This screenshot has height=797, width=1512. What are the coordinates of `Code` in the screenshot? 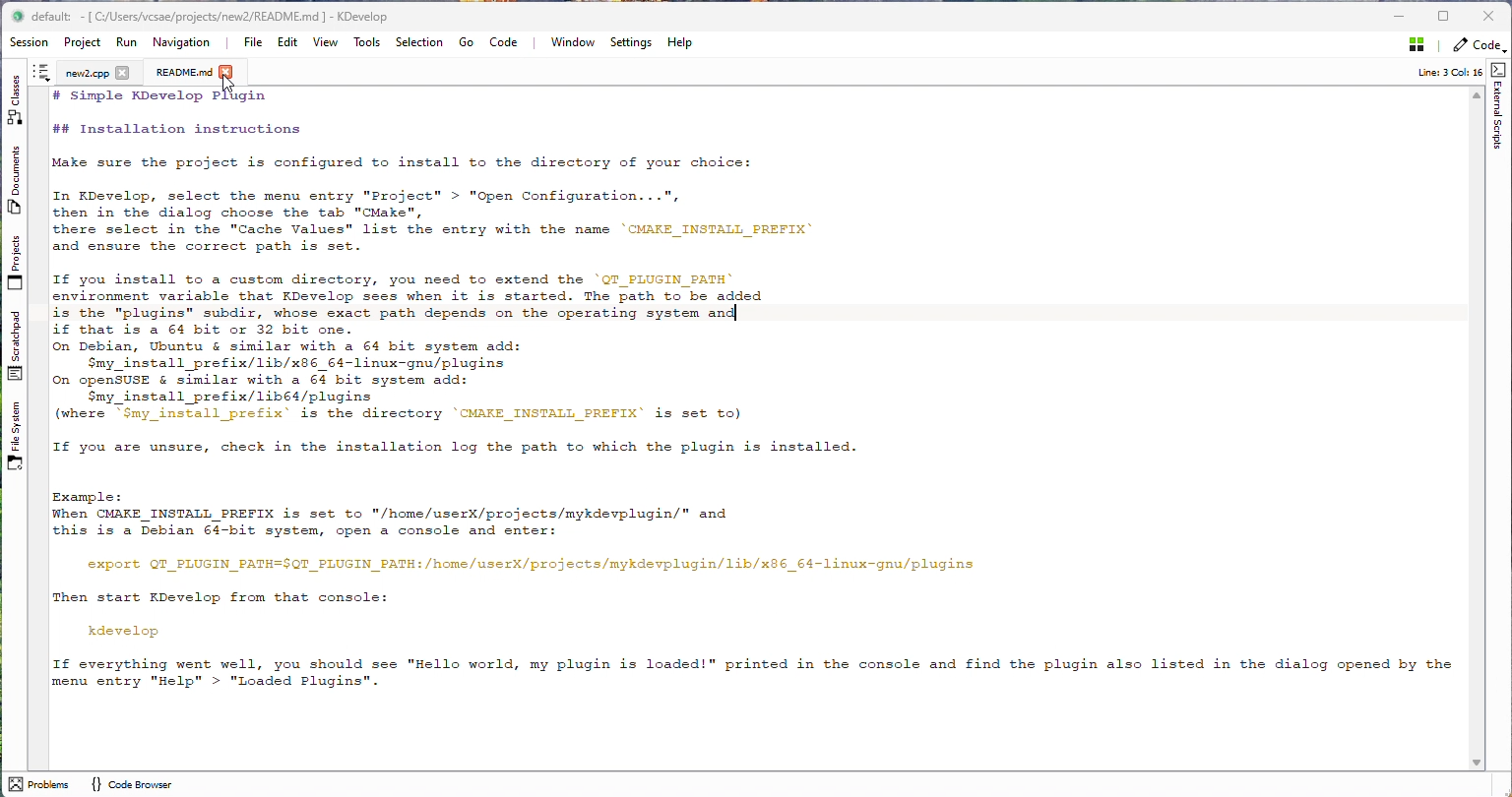 It's located at (1480, 48).